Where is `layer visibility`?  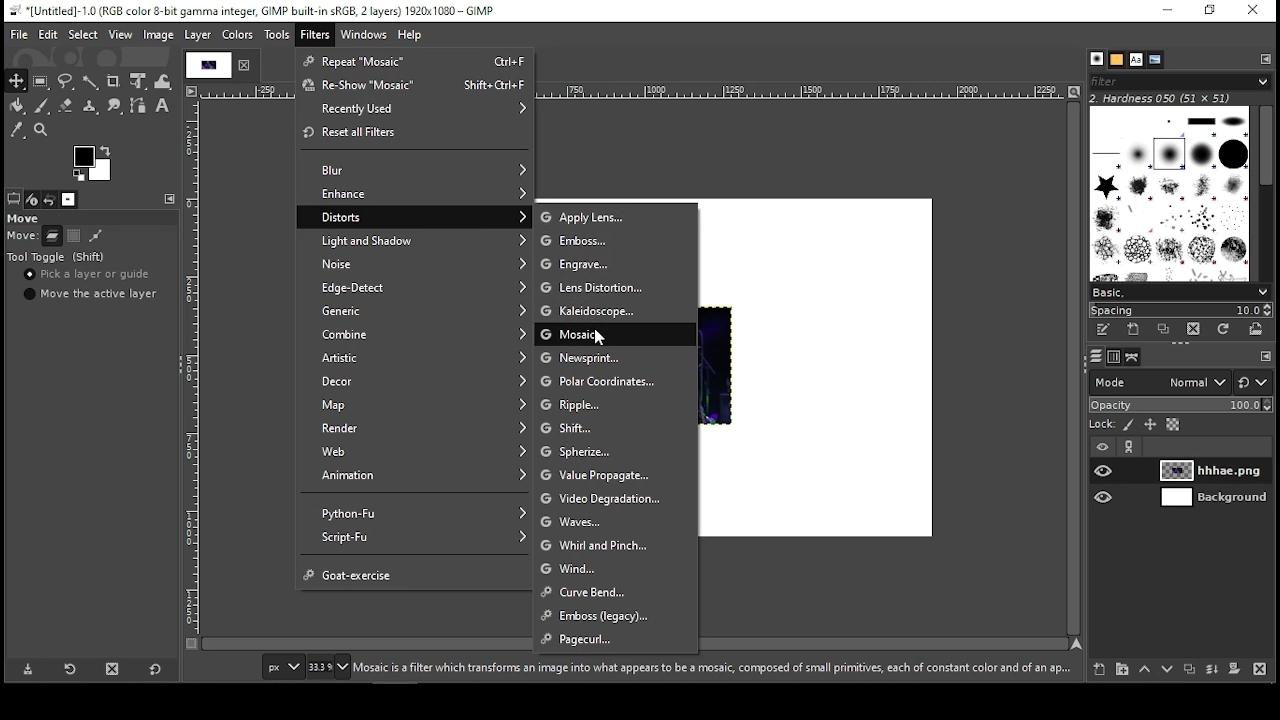
layer visibility is located at coordinates (1098, 447).